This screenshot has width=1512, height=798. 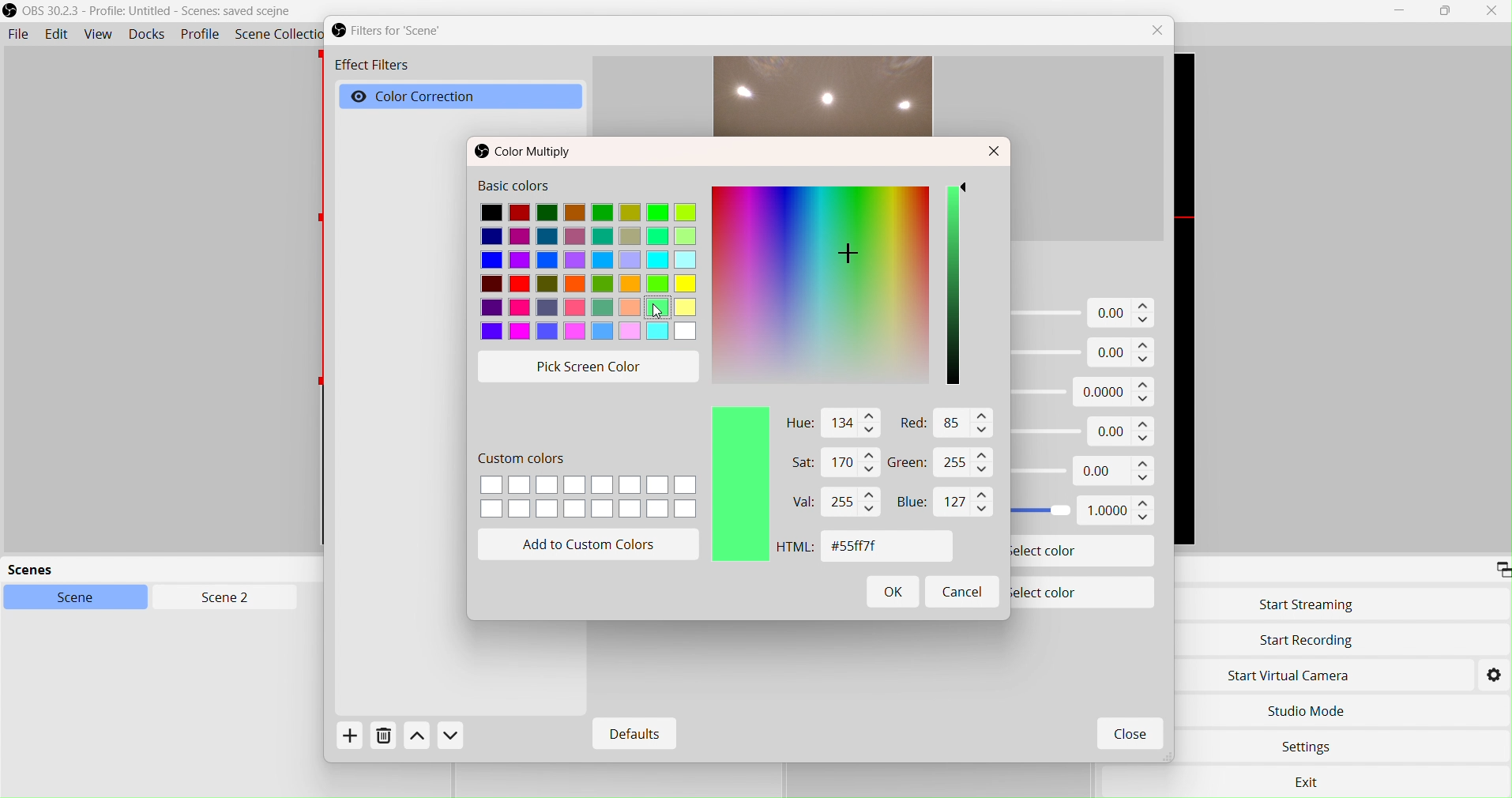 What do you see at coordinates (832, 503) in the screenshot?
I see `val: 255` at bounding box center [832, 503].